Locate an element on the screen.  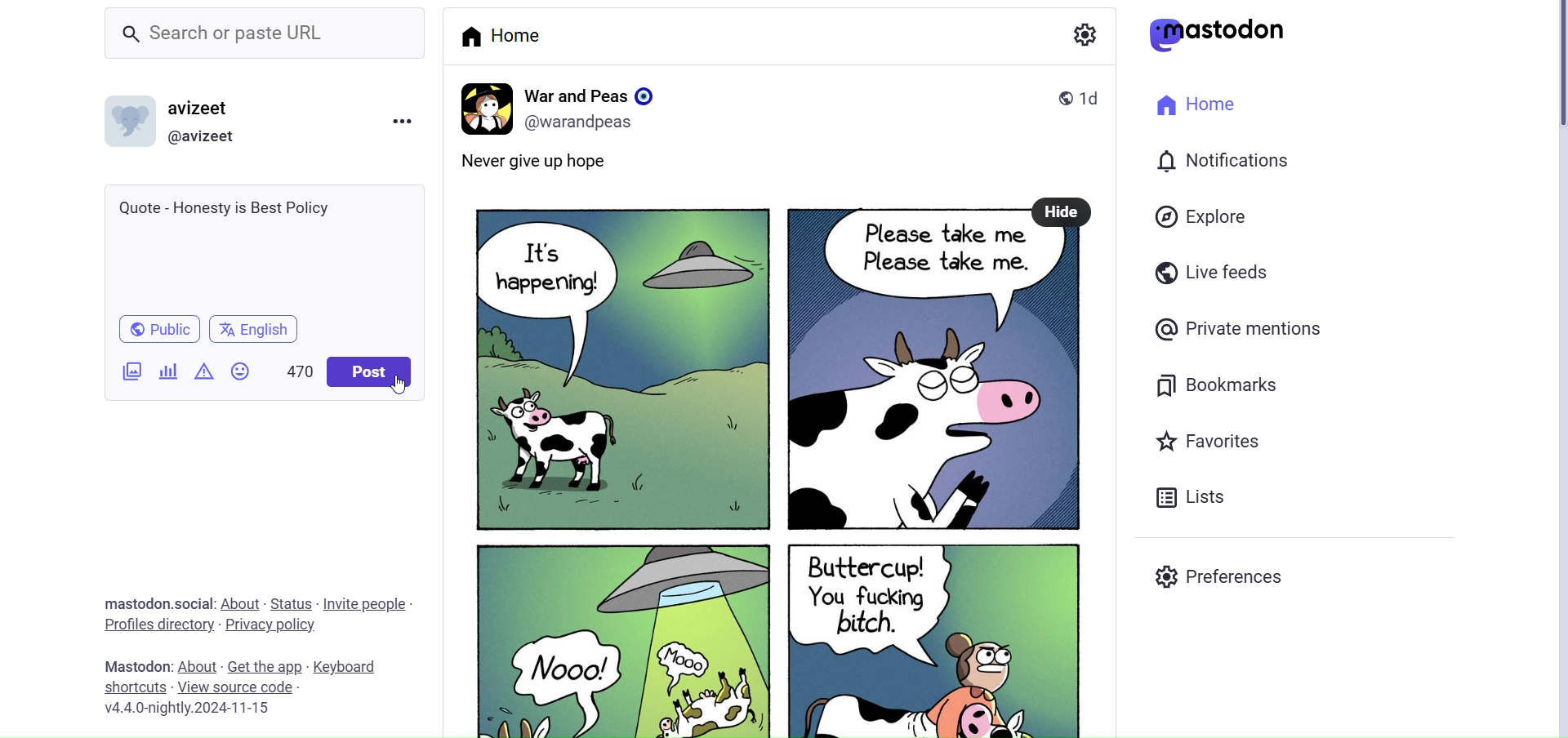
About is located at coordinates (243, 602).